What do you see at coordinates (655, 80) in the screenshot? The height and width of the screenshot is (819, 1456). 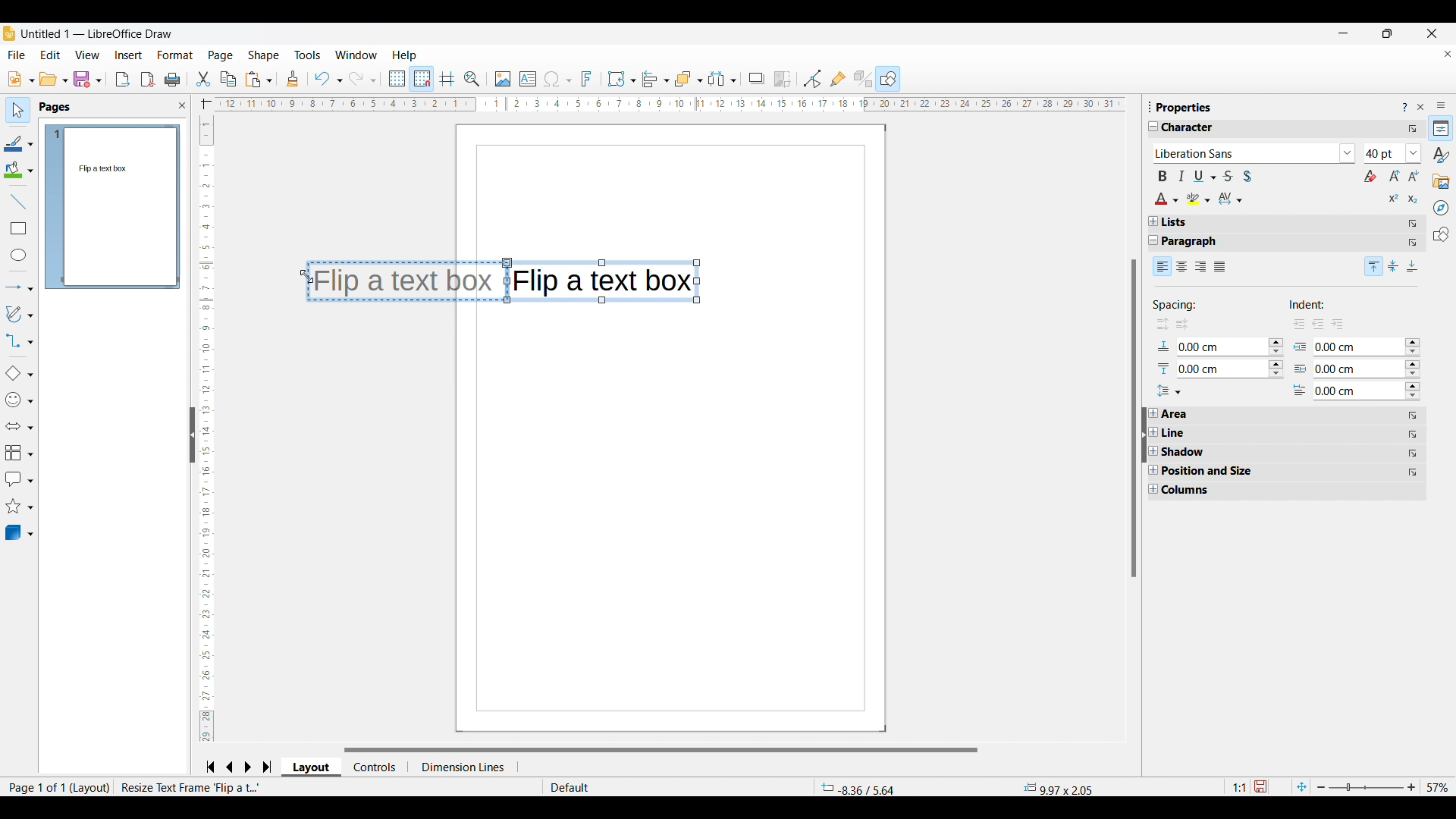 I see `Alignment options` at bounding box center [655, 80].